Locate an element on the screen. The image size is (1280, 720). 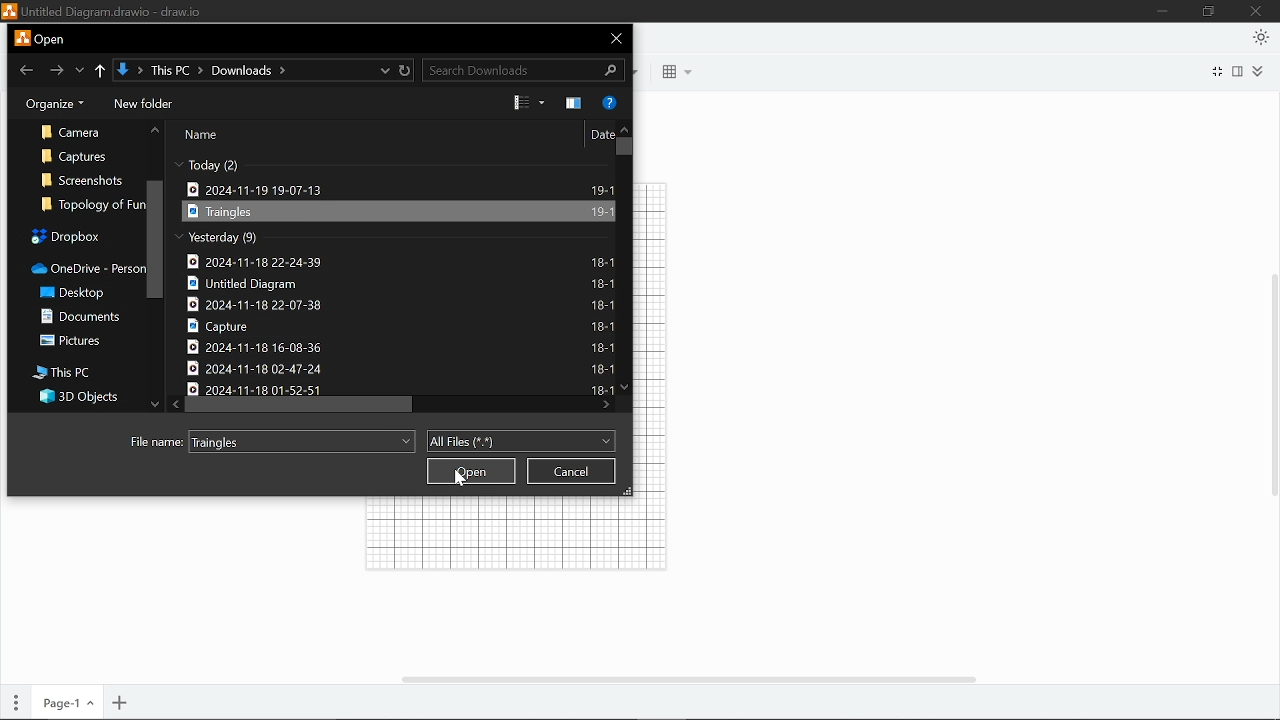
capture 18- is located at coordinates (399, 326).